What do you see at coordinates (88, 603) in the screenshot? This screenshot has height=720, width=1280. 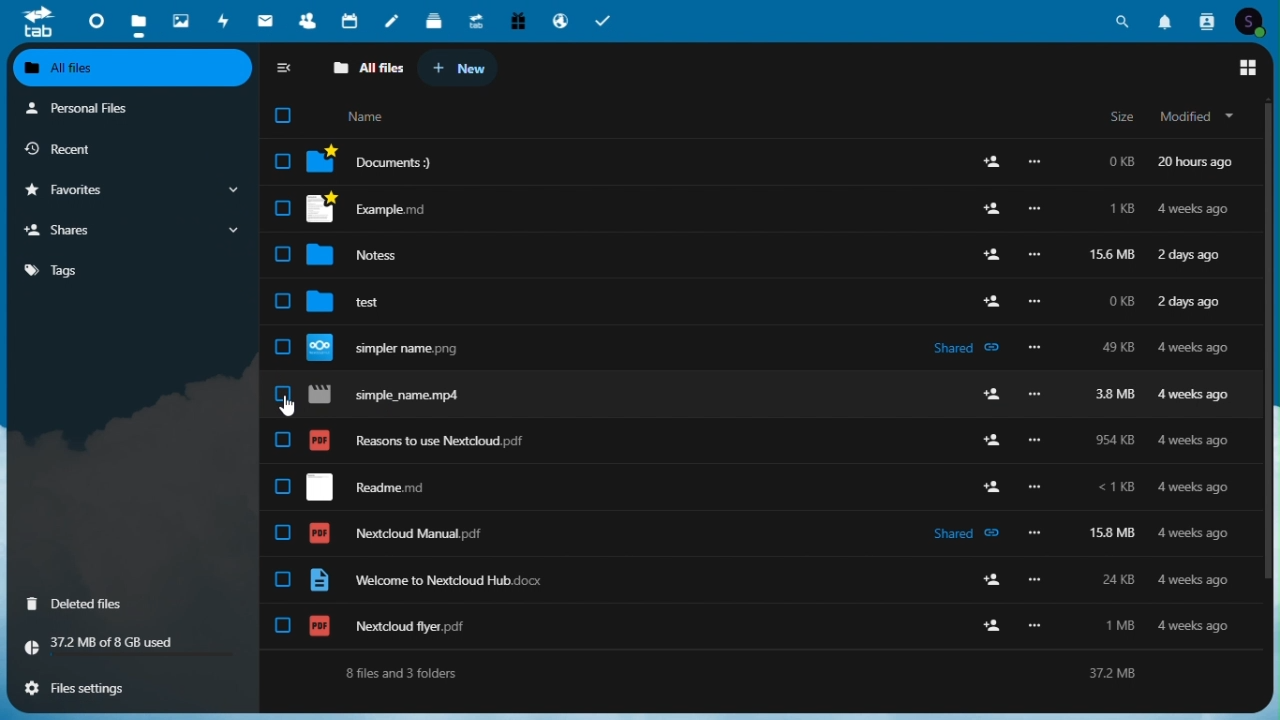 I see `Deleted files` at bounding box center [88, 603].